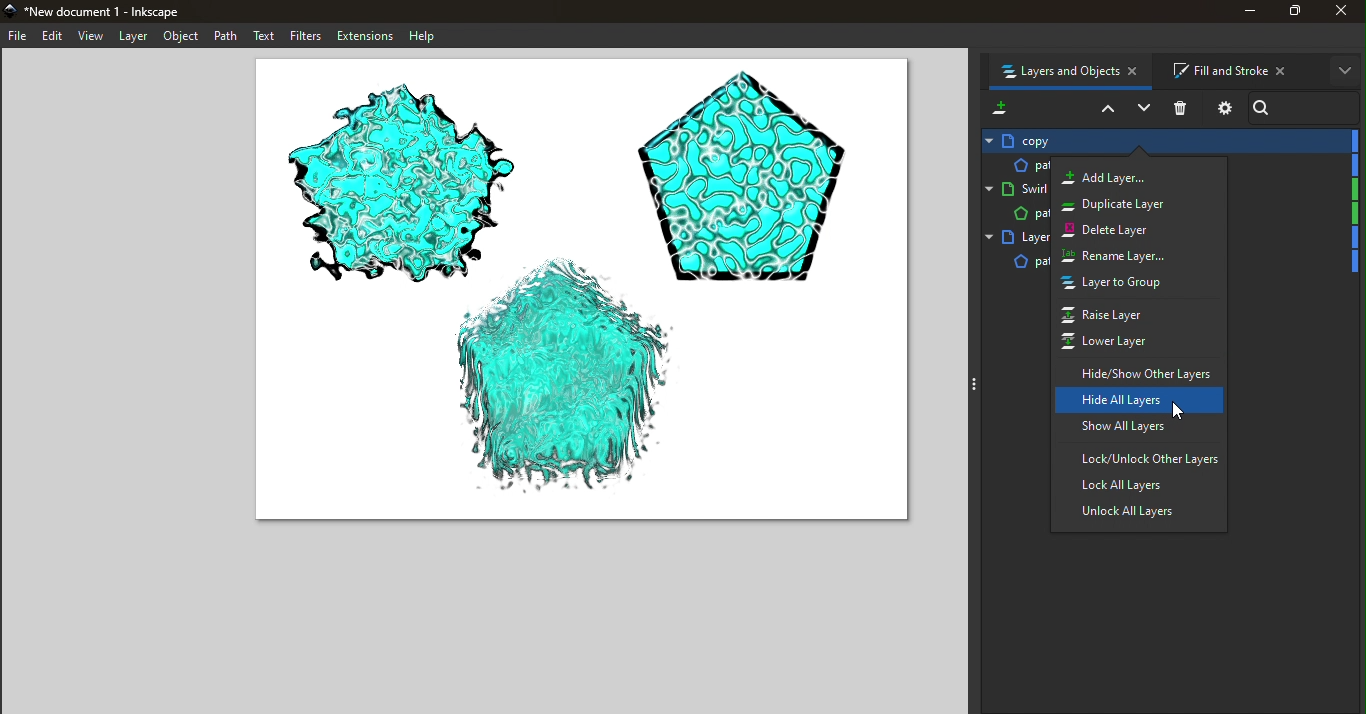 Image resolution: width=1366 pixels, height=714 pixels. Describe the element at coordinates (1105, 111) in the screenshot. I see `Raise selection one step` at that location.